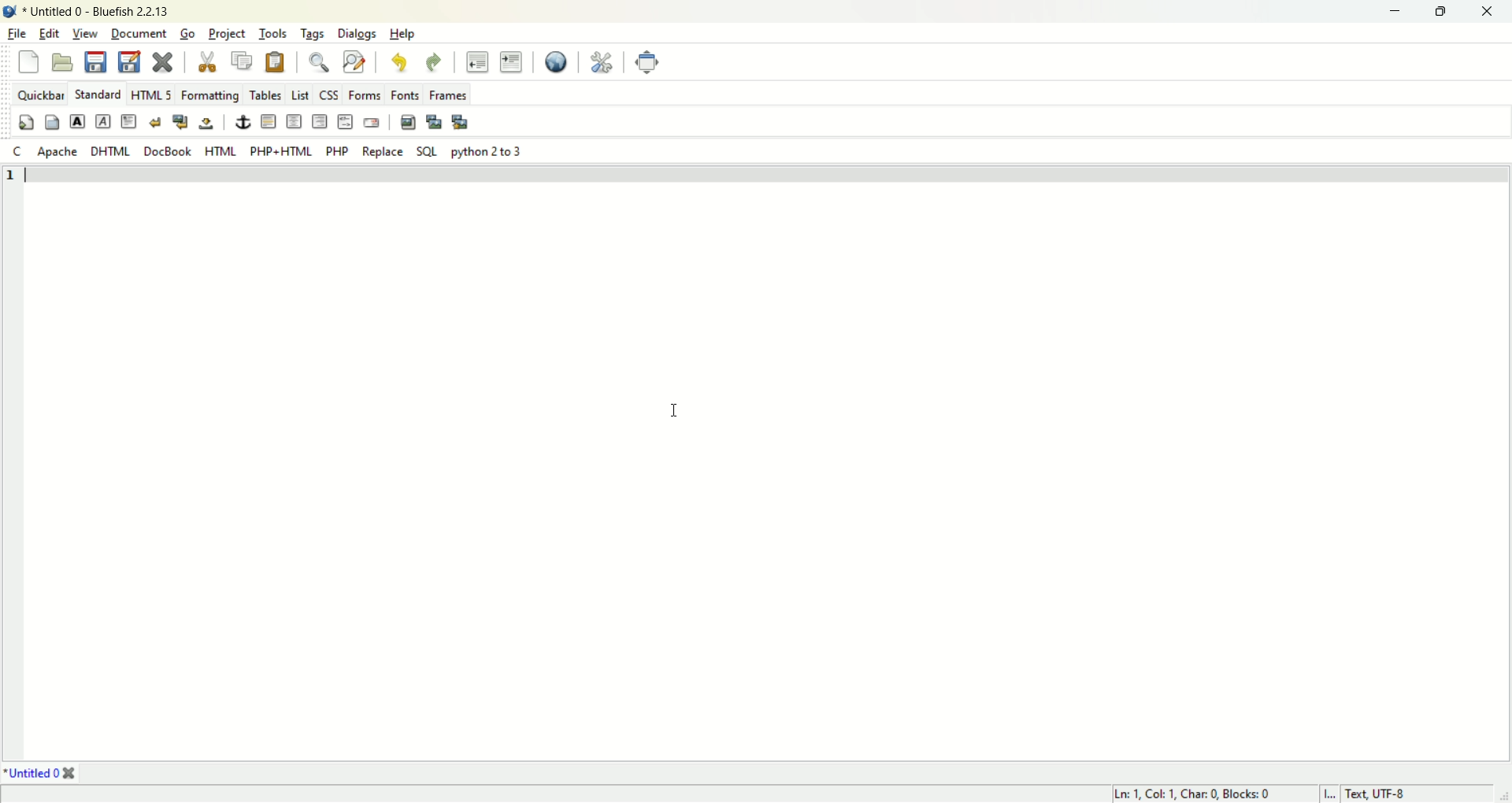  I want to click on list, so click(300, 94).